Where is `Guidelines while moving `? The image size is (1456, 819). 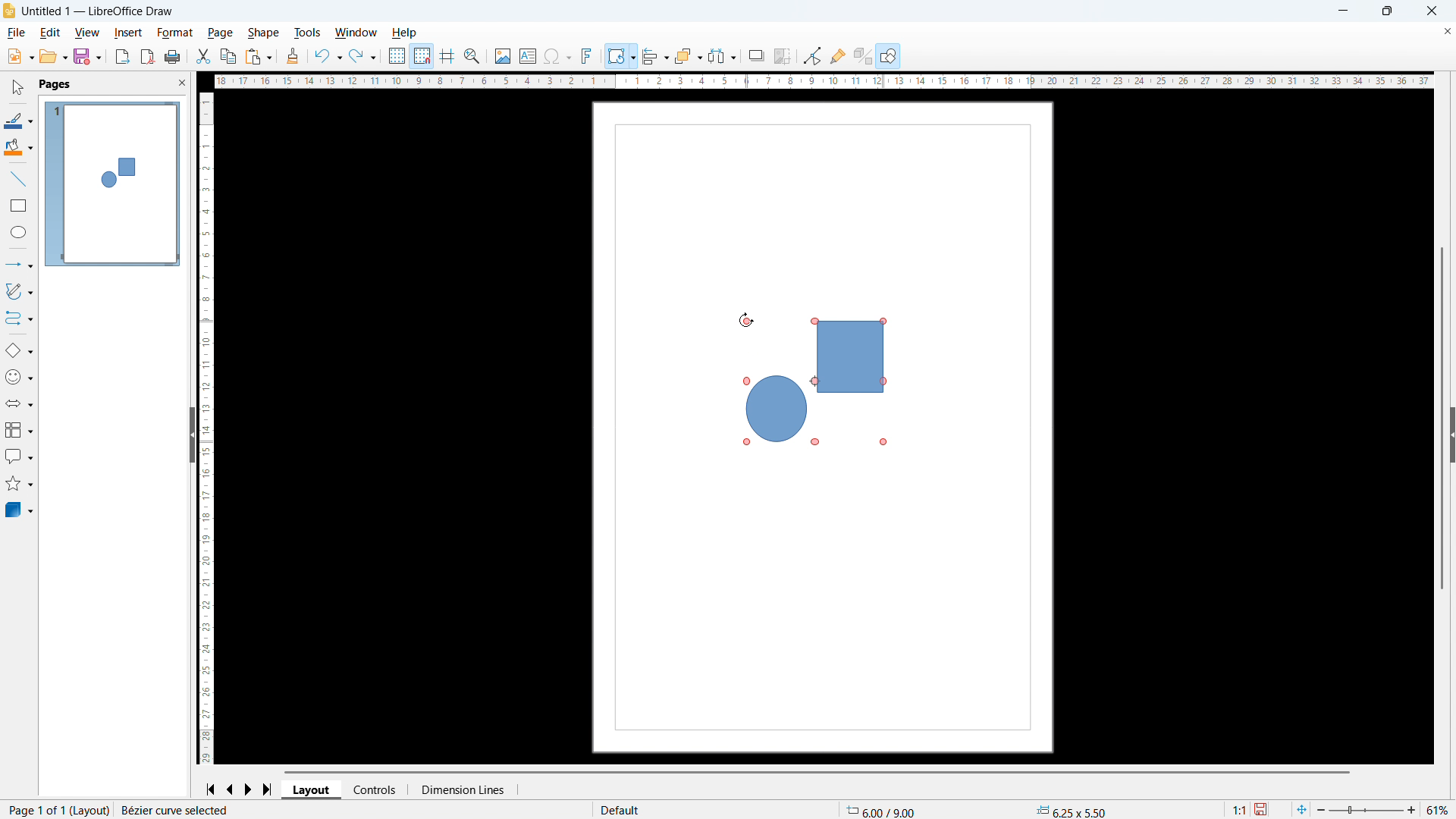
Guidelines while moving  is located at coordinates (448, 56).